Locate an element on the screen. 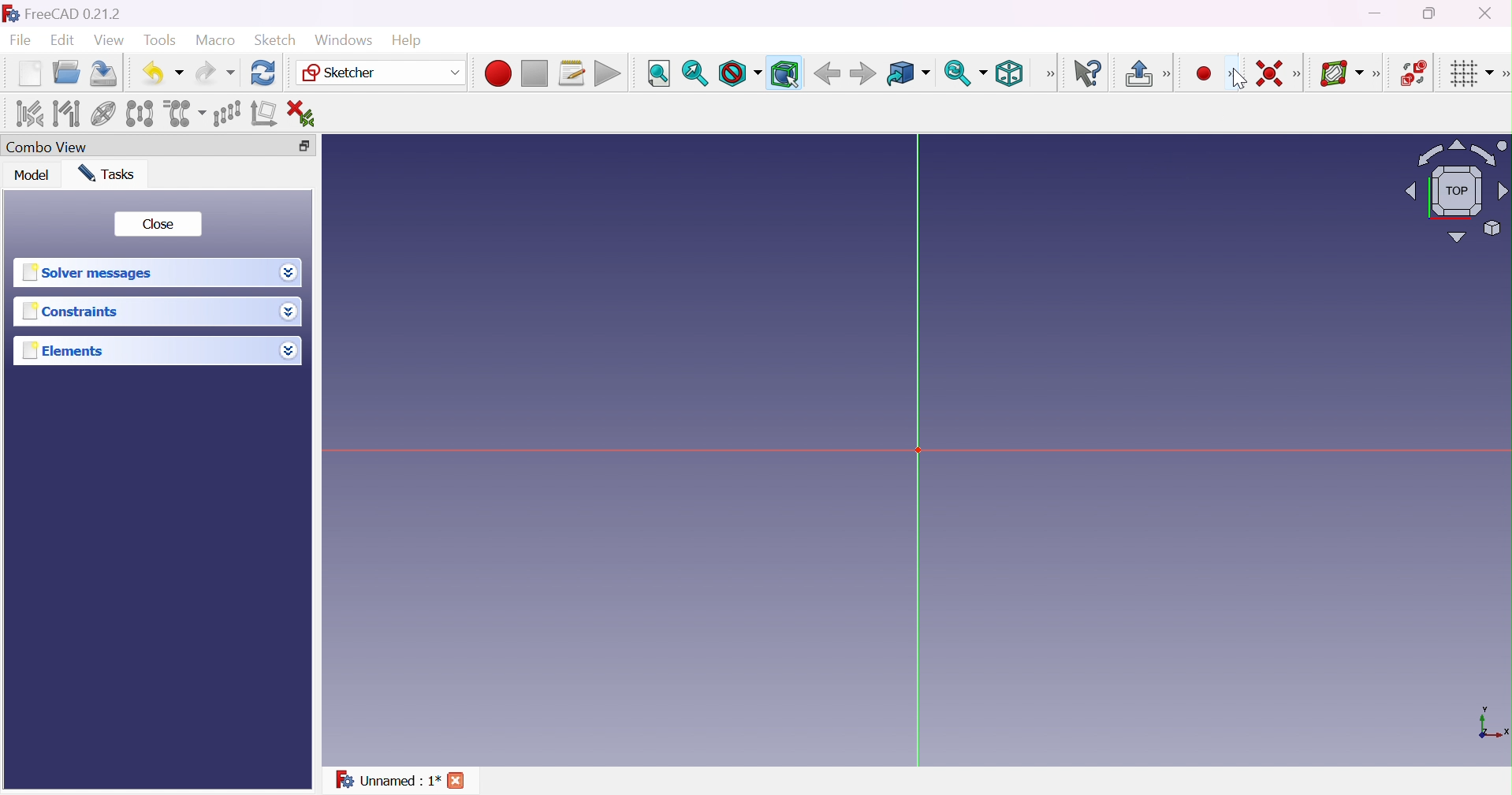 This screenshot has height=795, width=1512. View is located at coordinates (109, 40).